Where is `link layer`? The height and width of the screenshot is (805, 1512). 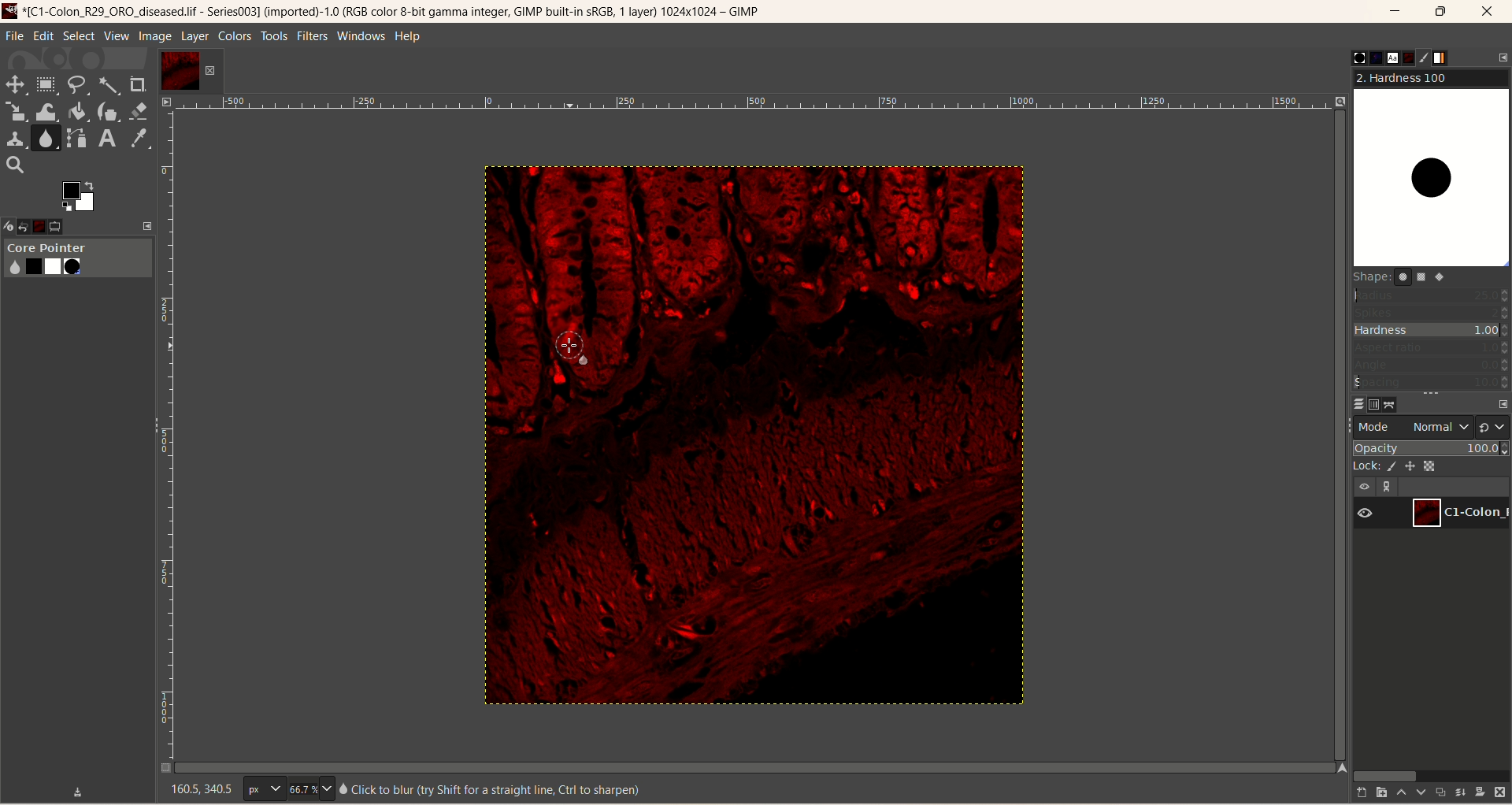
link layer is located at coordinates (1389, 487).